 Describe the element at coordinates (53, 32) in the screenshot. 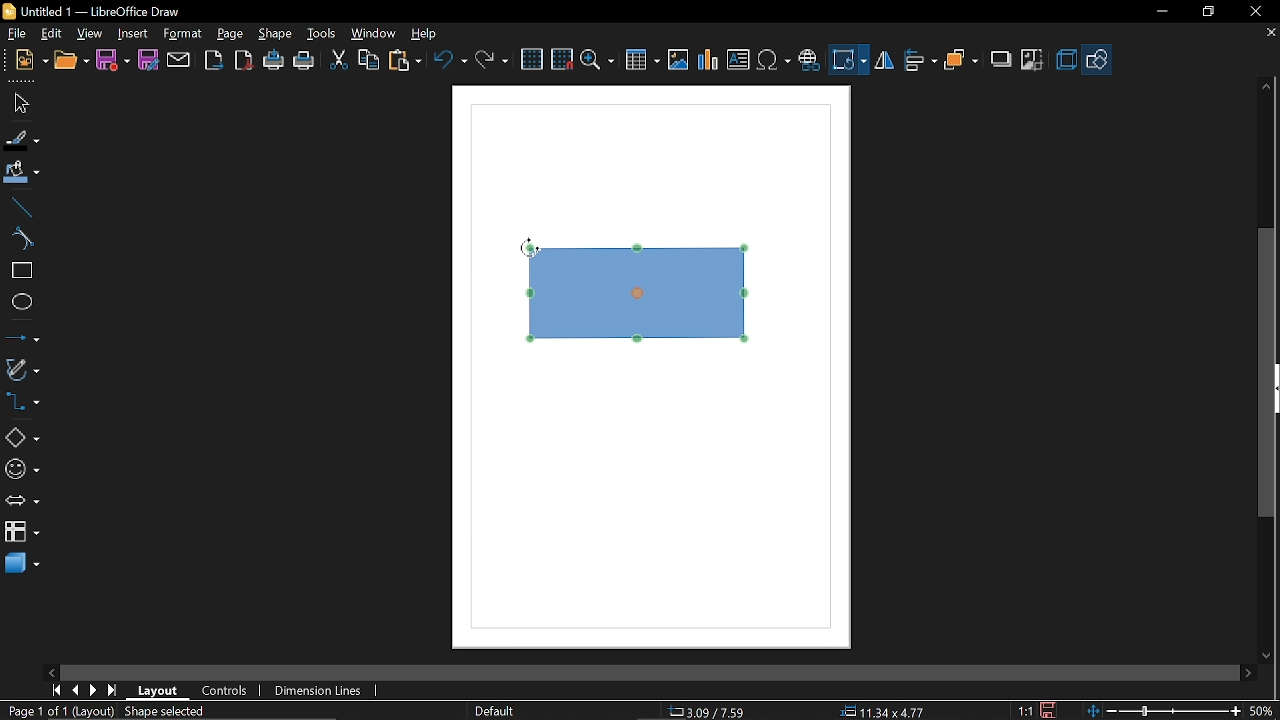

I see `Edit` at that location.